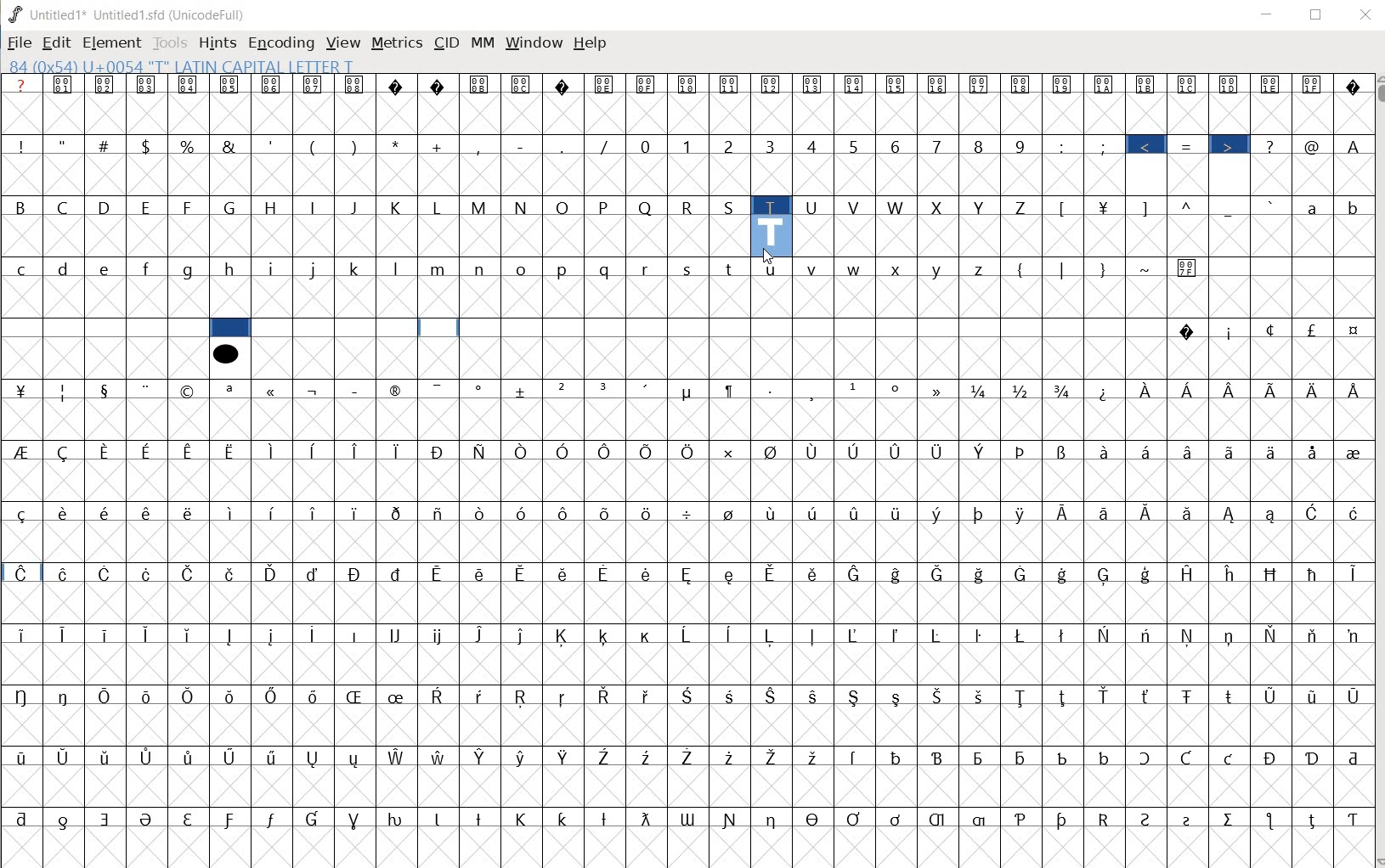  What do you see at coordinates (149, 208) in the screenshot?
I see `E` at bounding box center [149, 208].